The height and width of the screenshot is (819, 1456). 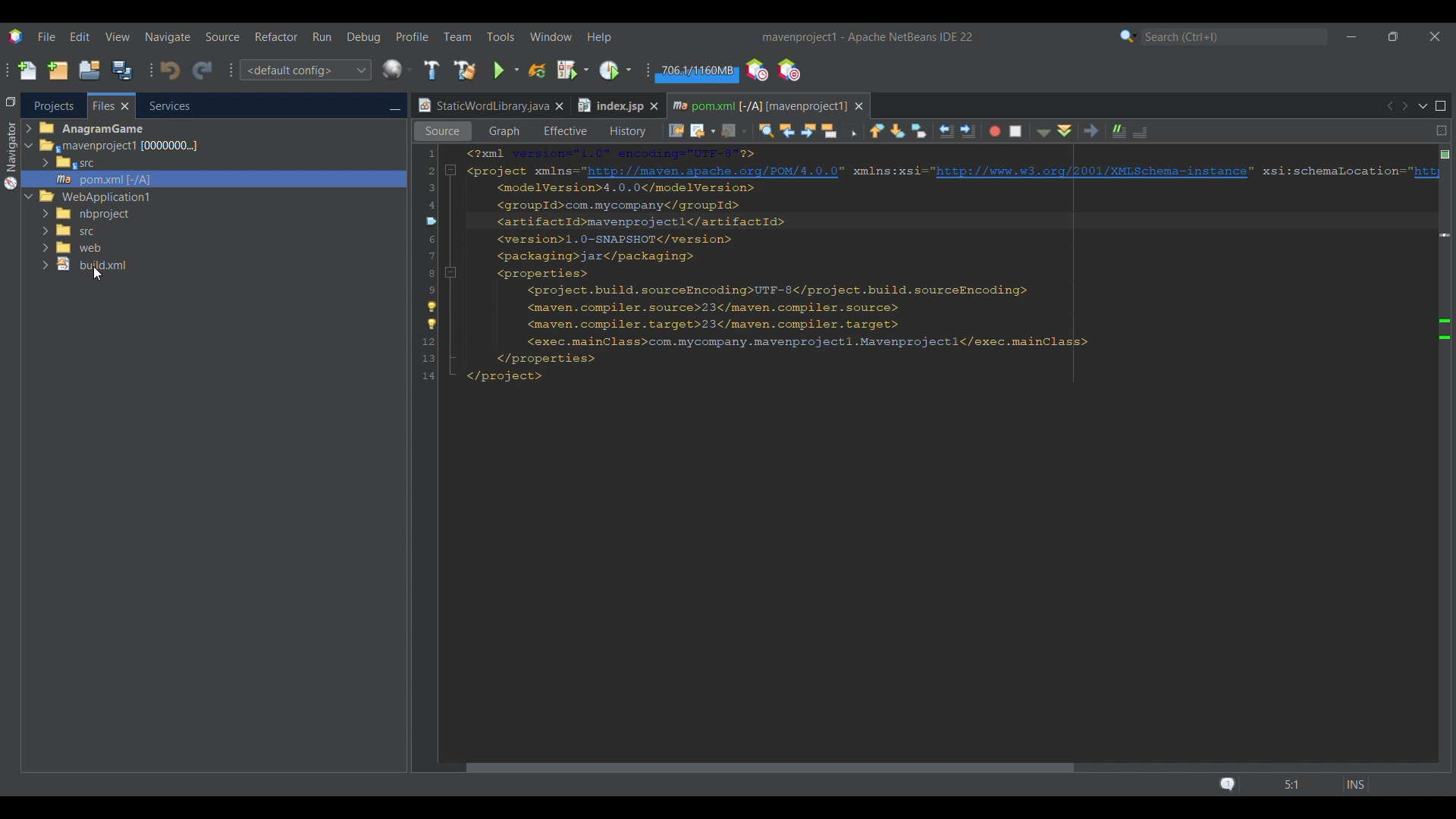 I want to click on Collapse/Expand, so click(x=37, y=233).